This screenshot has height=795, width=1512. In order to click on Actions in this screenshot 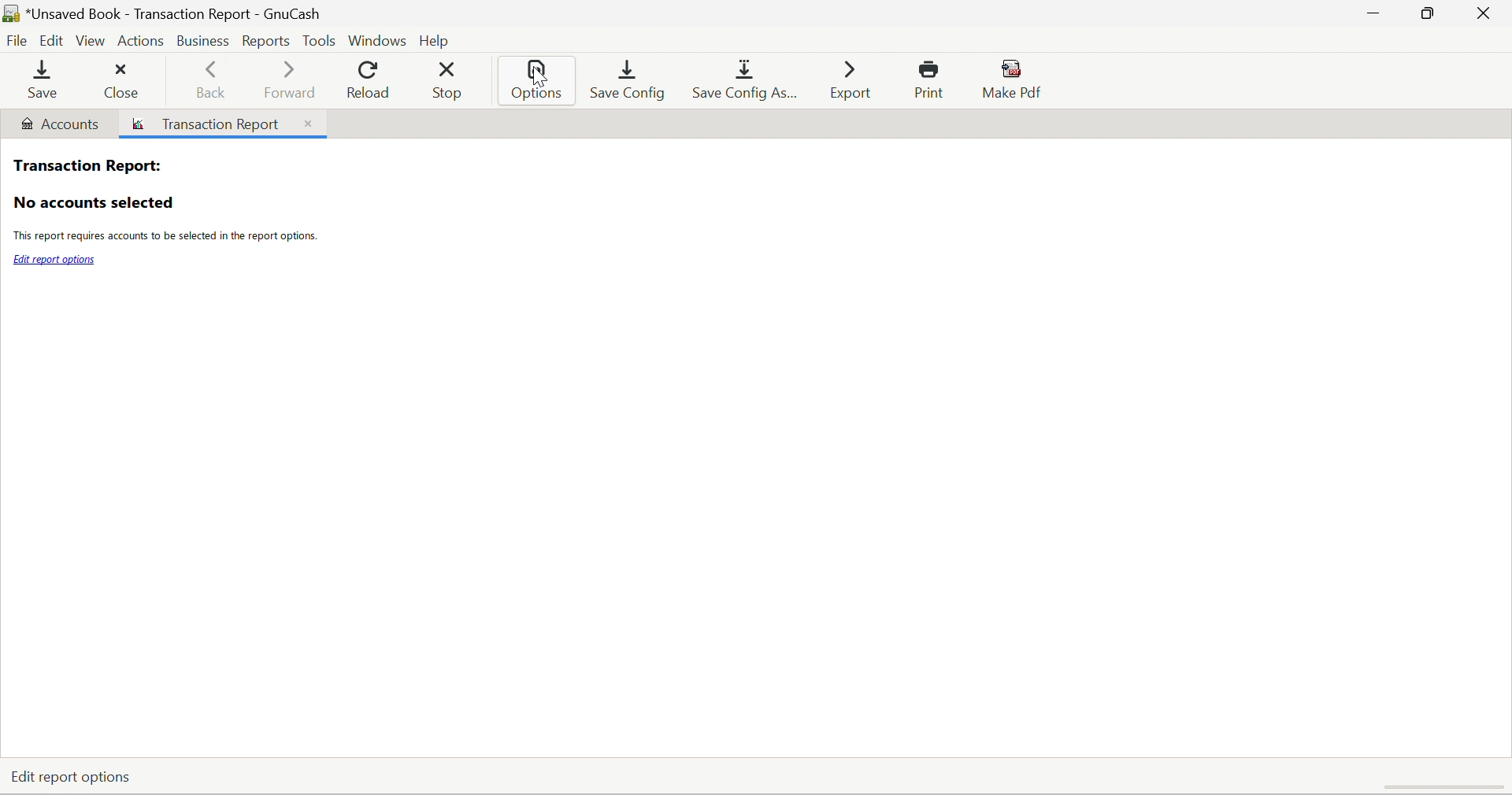, I will do `click(141, 39)`.